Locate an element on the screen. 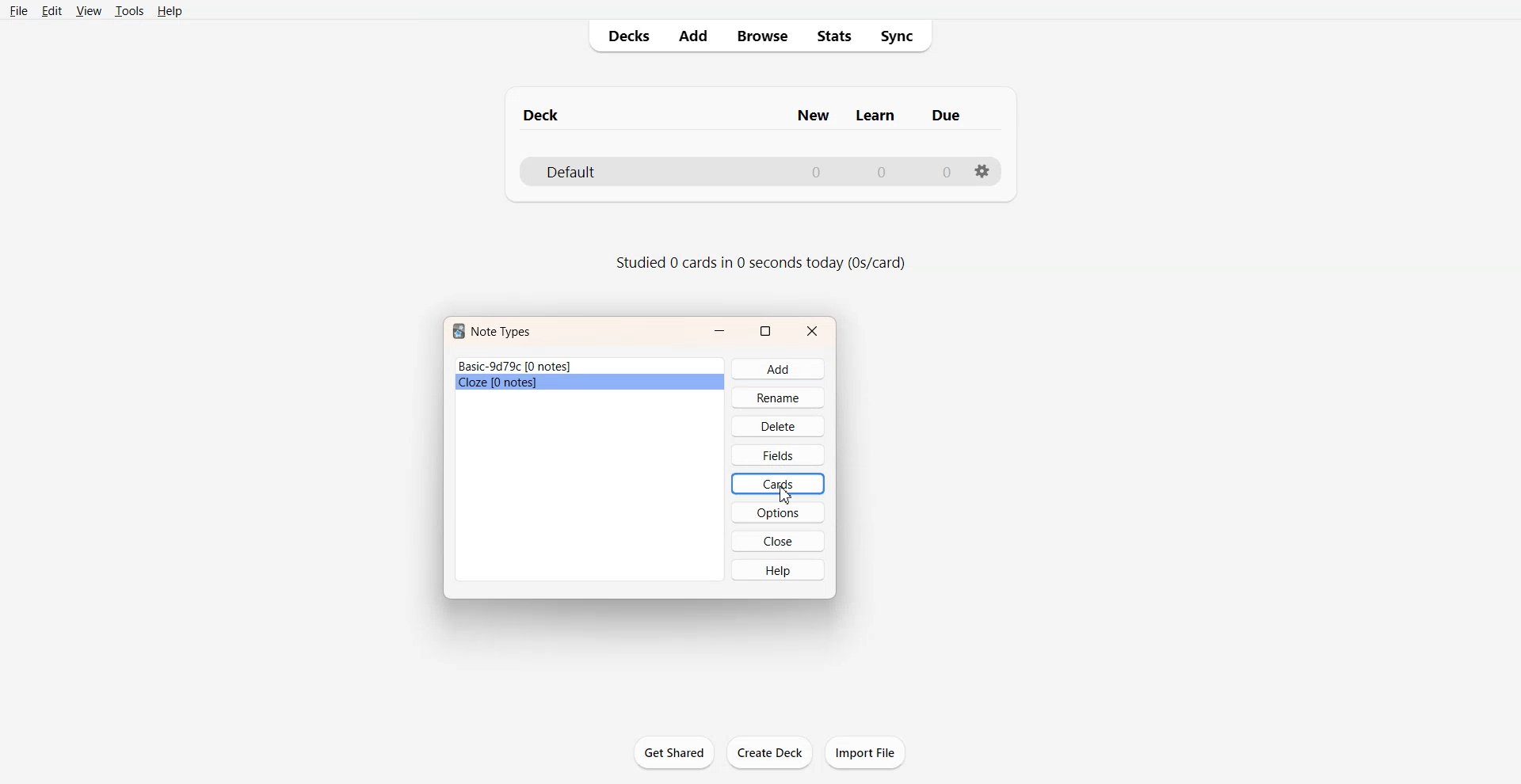  File is located at coordinates (590, 366).